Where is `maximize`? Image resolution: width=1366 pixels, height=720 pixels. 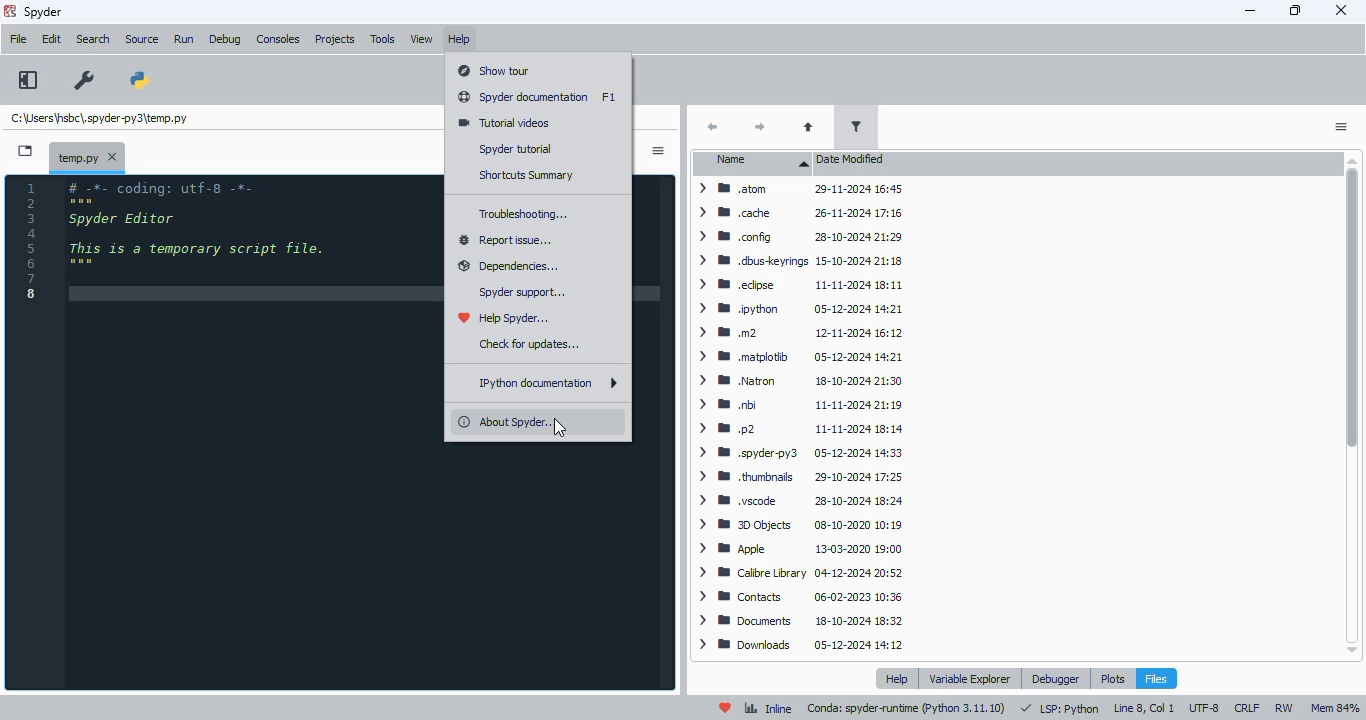
maximize is located at coordinates (1296, 11).